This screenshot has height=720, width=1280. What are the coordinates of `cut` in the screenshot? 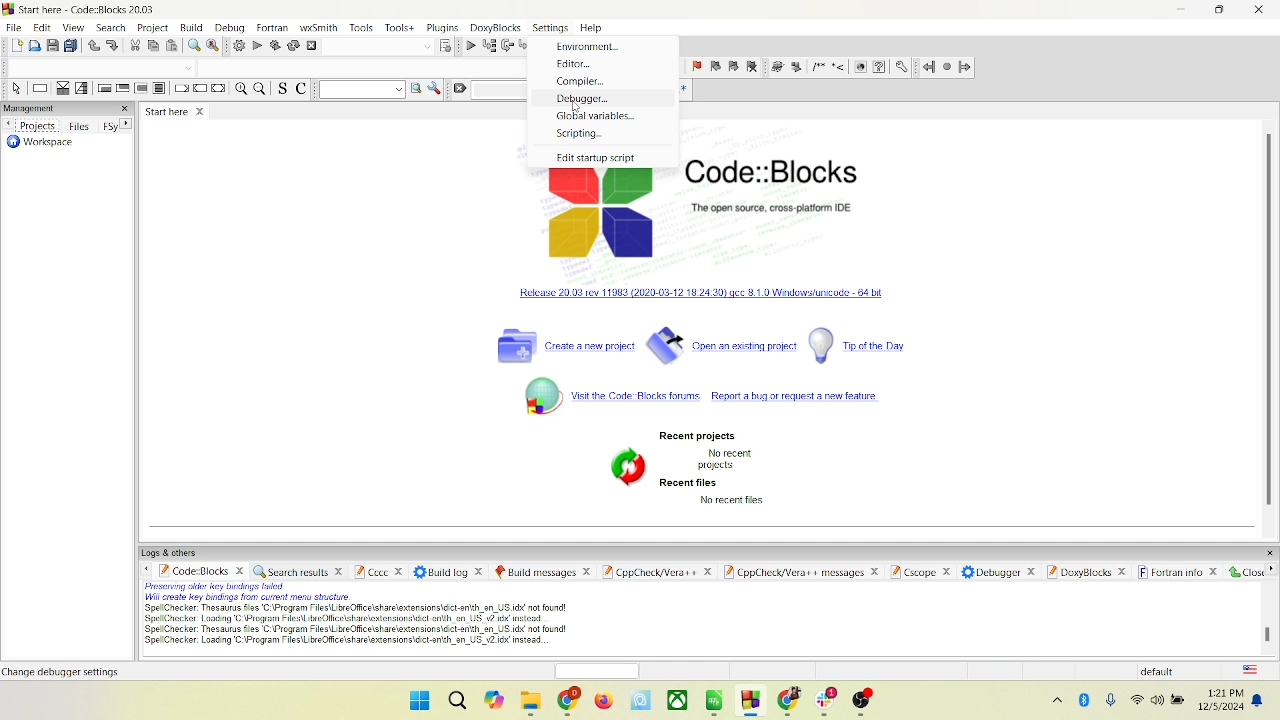 It's located at (135, 45).